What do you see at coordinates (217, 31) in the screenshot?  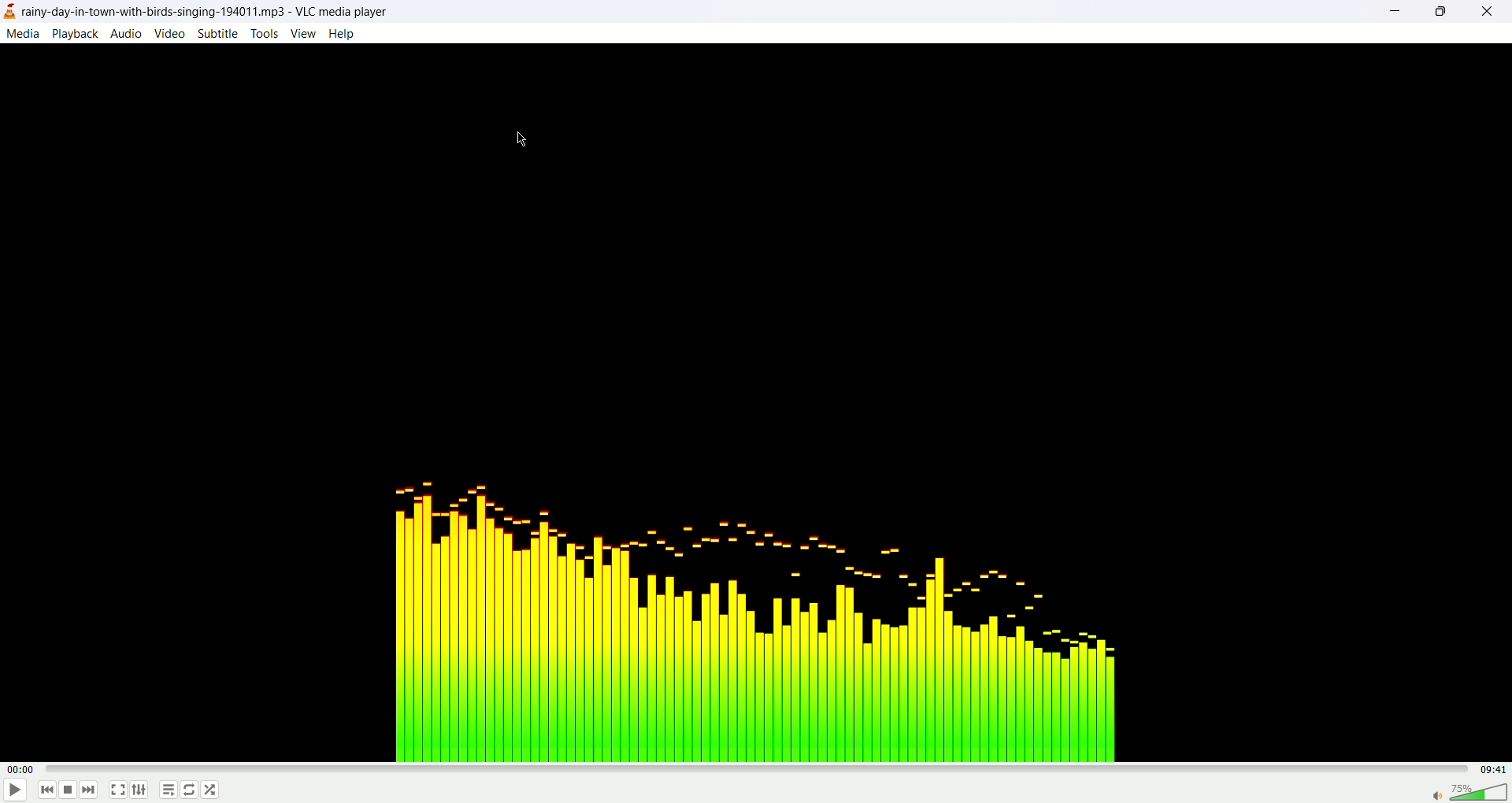 I see `subtitle` at bounding box center [217, 31].